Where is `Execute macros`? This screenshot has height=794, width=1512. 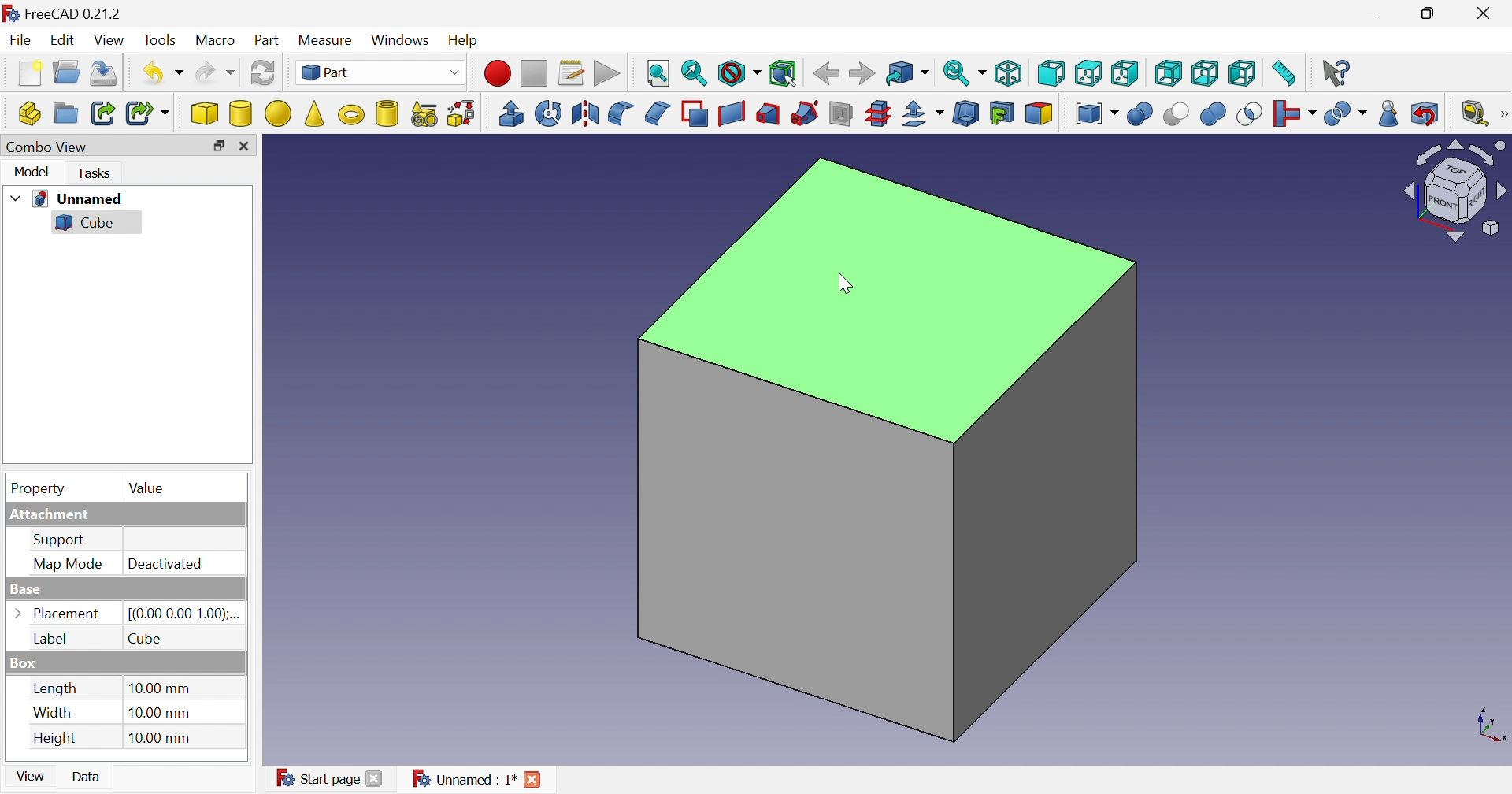 Execute macros is located at coordinates (607, 72).